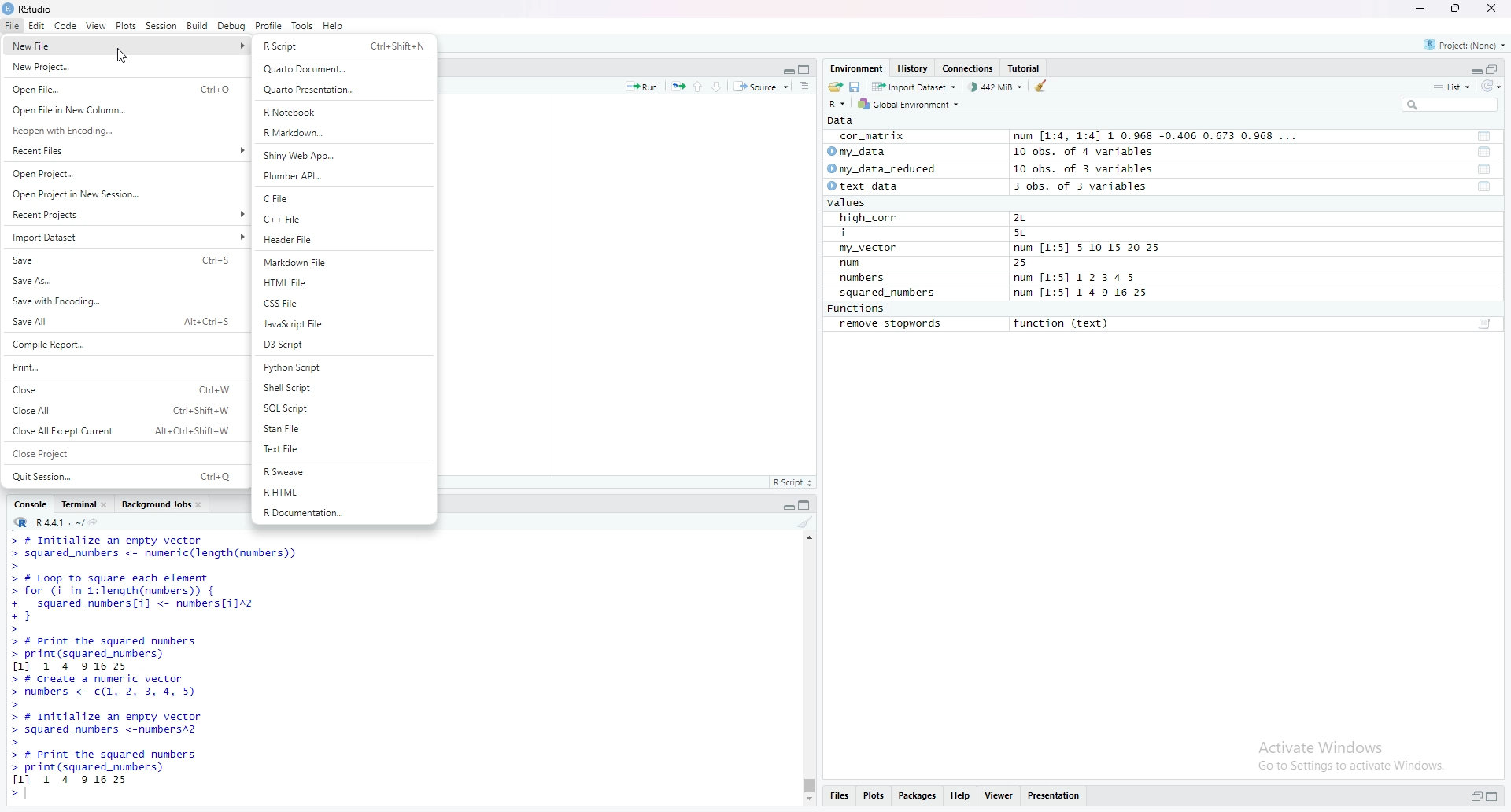  Describe the element at coordinates (344, 46) in the screenshot. I see `R Script Ctri+Shift+N` at that location.